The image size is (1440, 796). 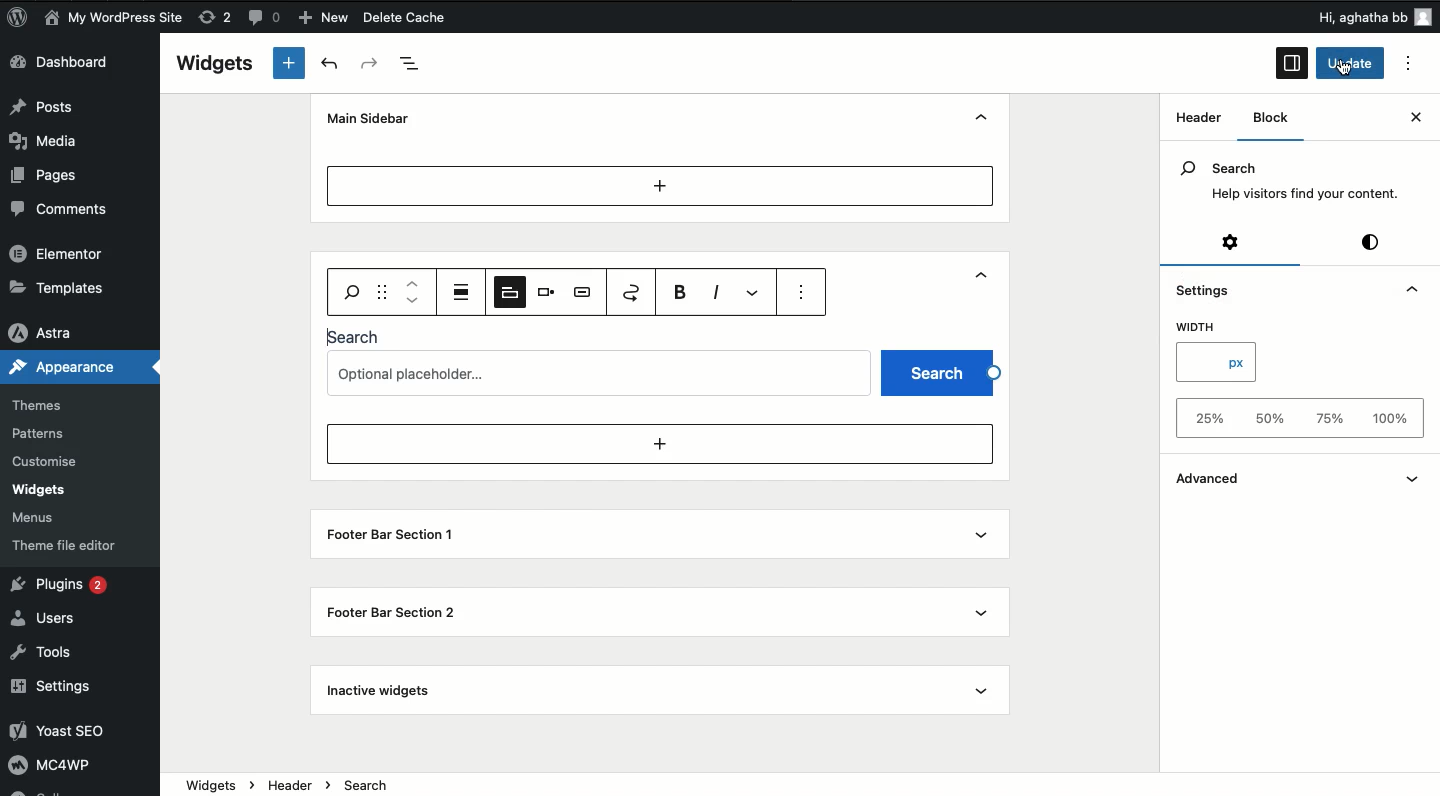 What do you see at coordinates (24, 20) in the screenshot?
I see `logo` at bounding box center [24, 20].